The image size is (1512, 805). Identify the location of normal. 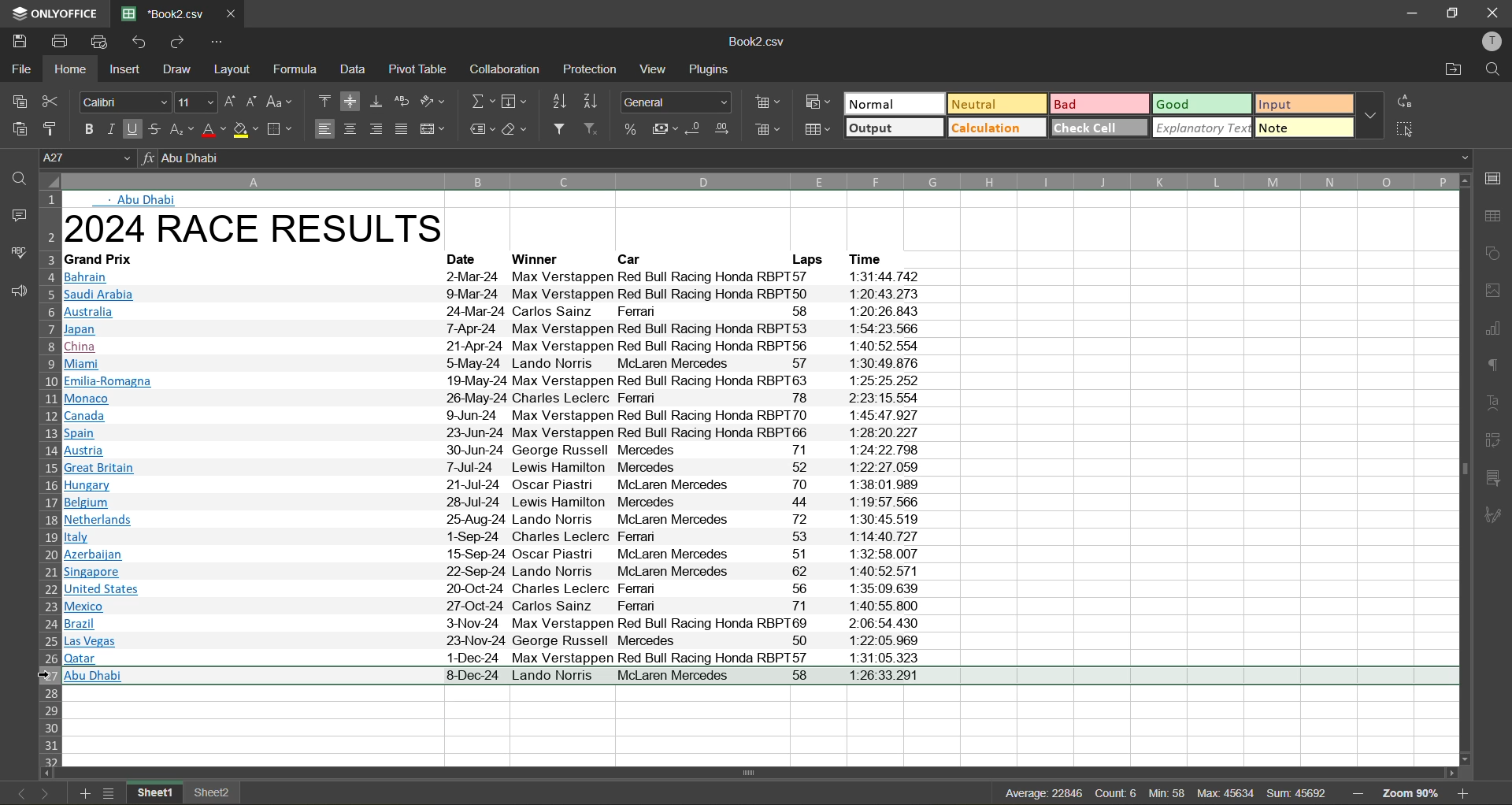
(893, 105).